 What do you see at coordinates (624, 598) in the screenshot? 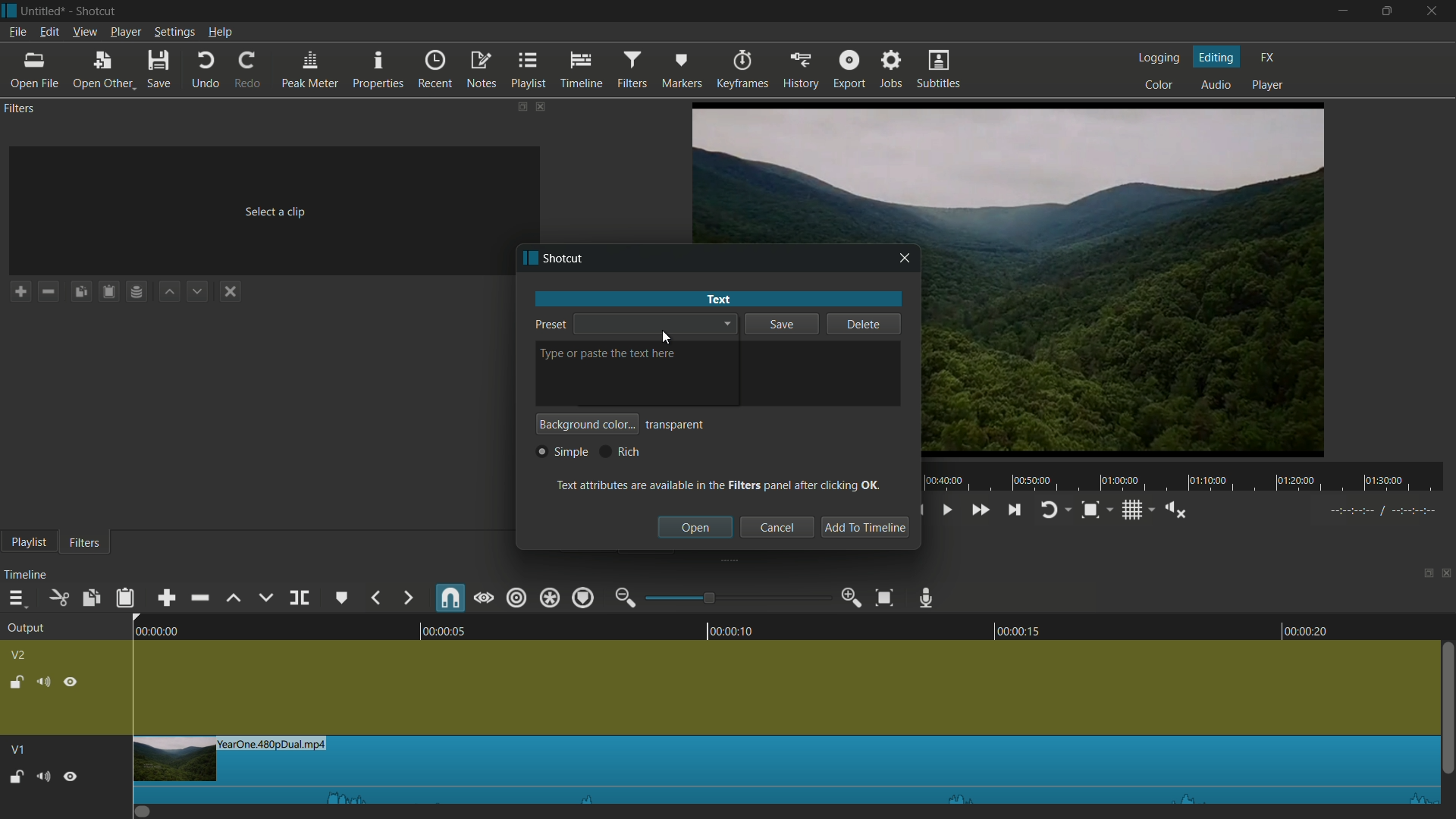
I see `zoom out` at bounding box center [624, 598].